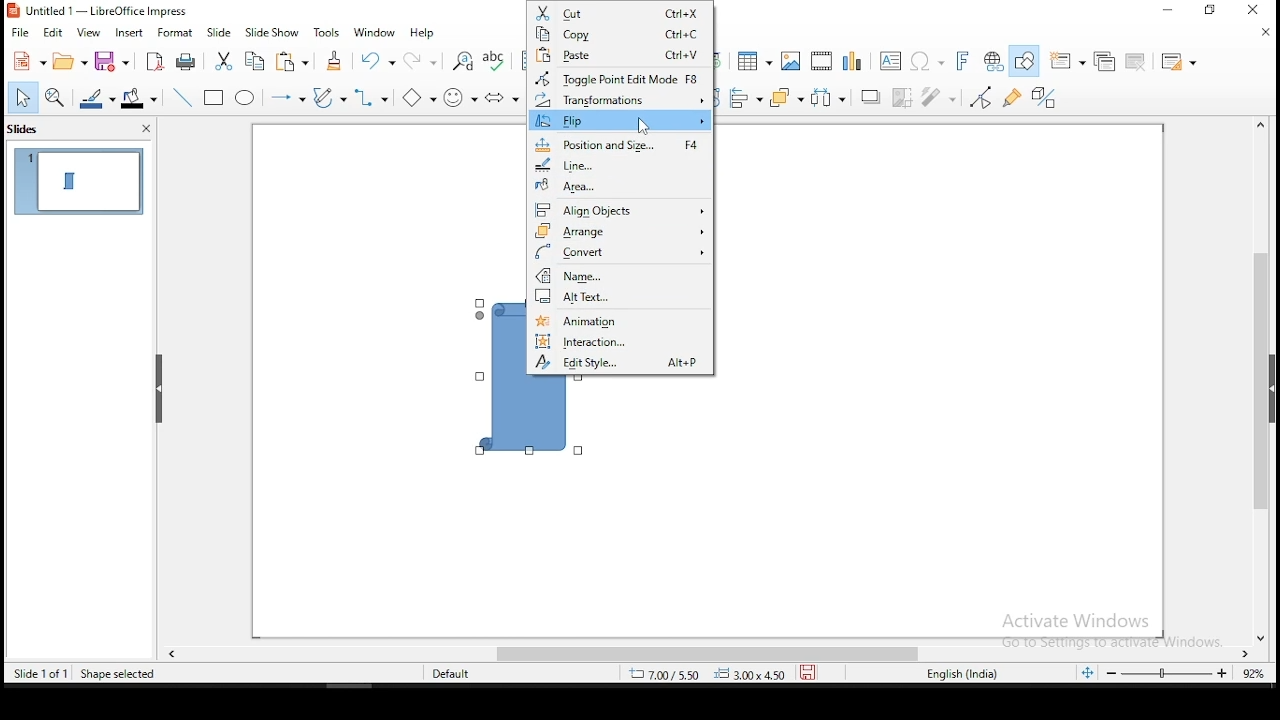  Describe the element at coordinates (619, 78) in the screenshot. I see `toggle point edit mode` at that location.